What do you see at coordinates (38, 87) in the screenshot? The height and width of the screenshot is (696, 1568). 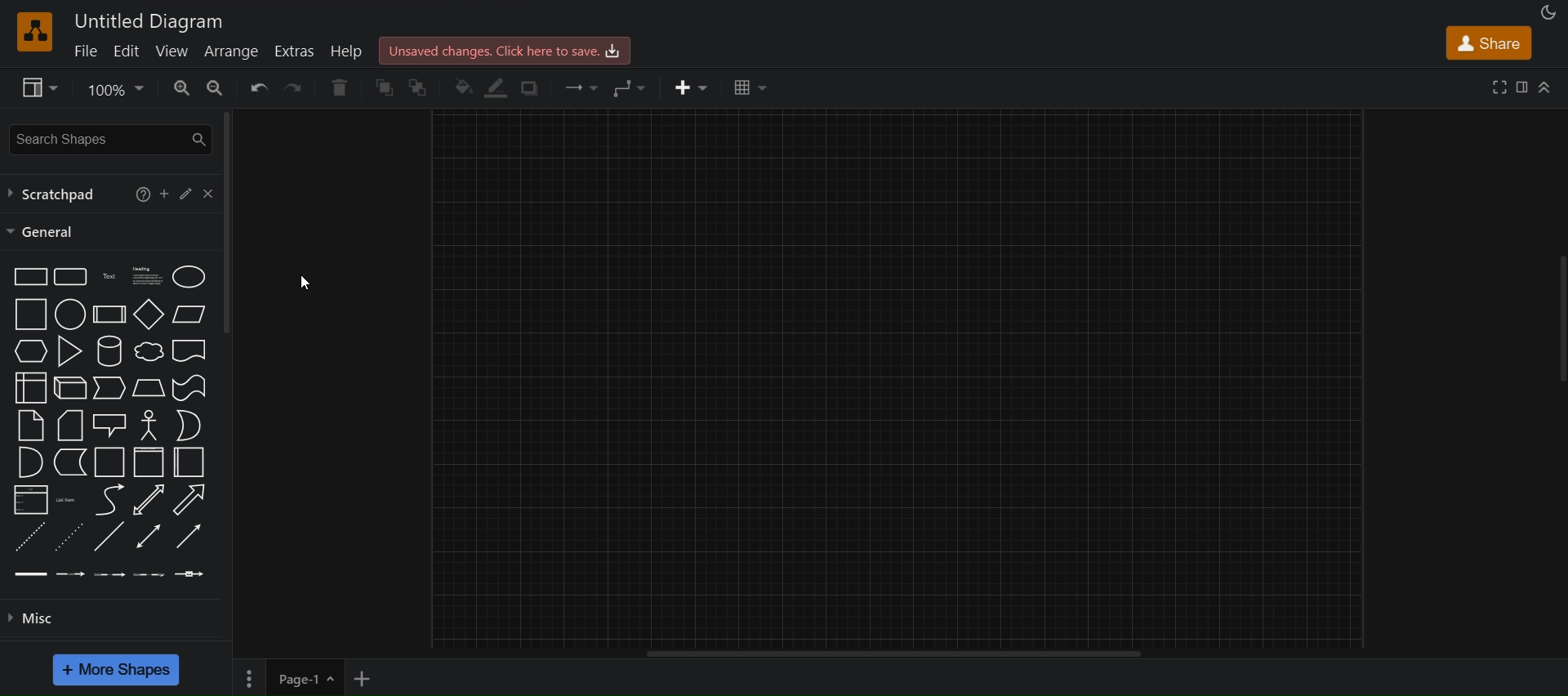 I see `view` at bounding box center [38, 87].